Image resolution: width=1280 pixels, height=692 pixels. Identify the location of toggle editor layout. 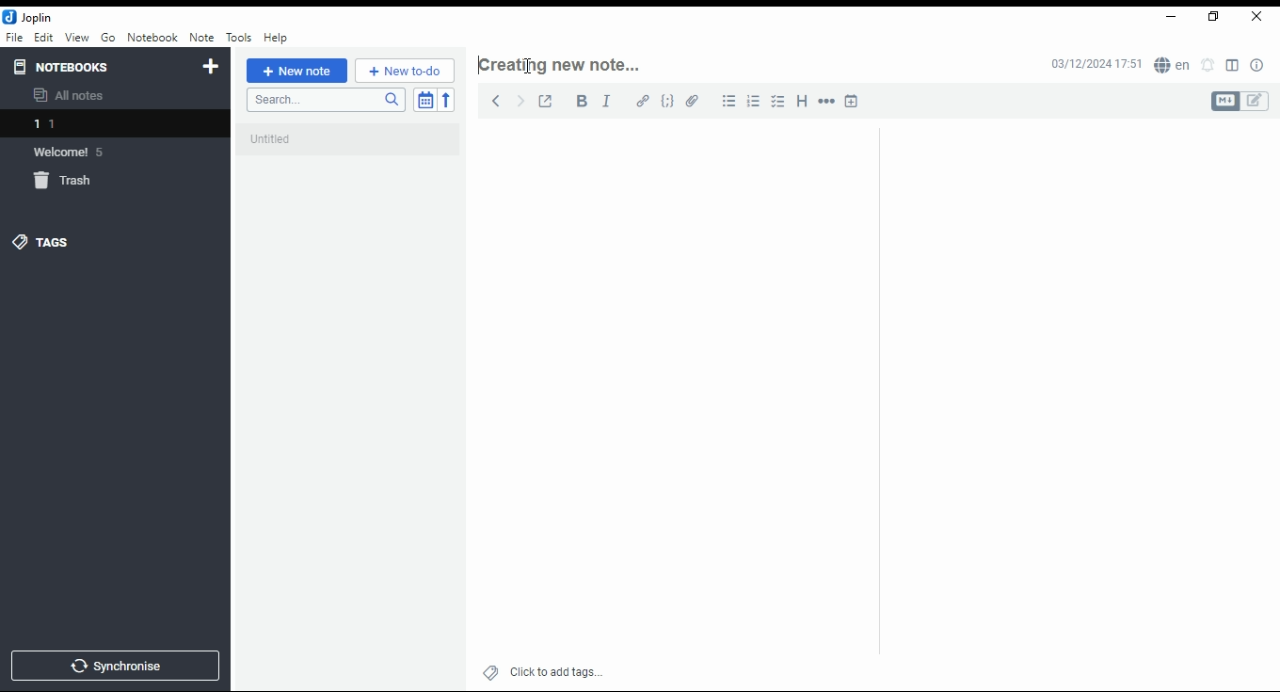
(1232, 66).